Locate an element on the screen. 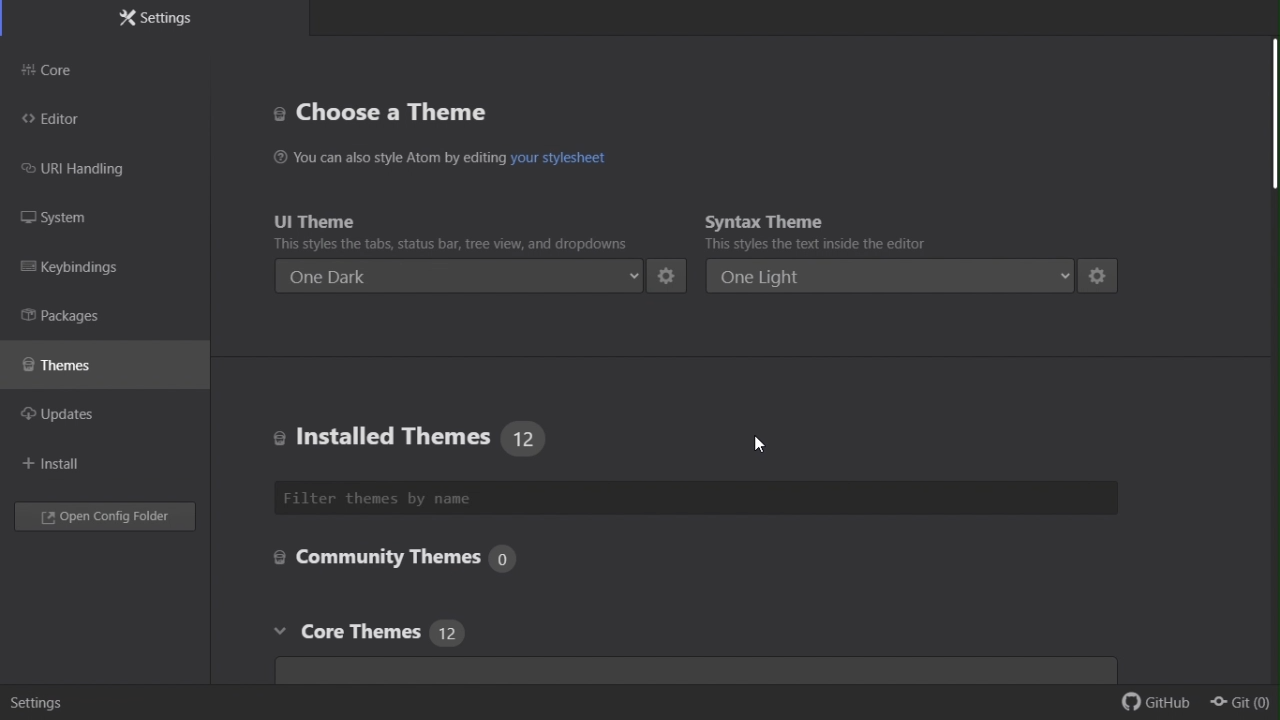 The height and width of the screenshot is (720, 1280). Installed themes is located at coordinates (418, 429).